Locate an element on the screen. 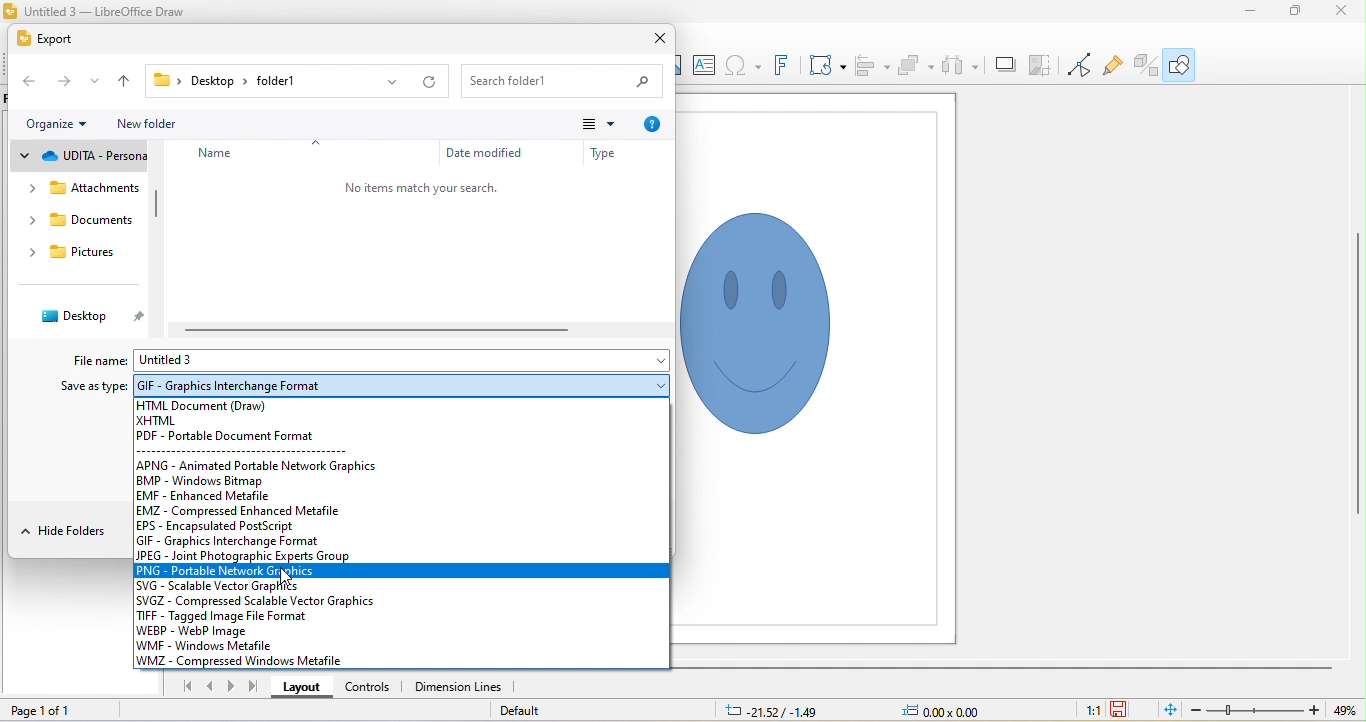  maximize is located at coordinates (1293, 11).